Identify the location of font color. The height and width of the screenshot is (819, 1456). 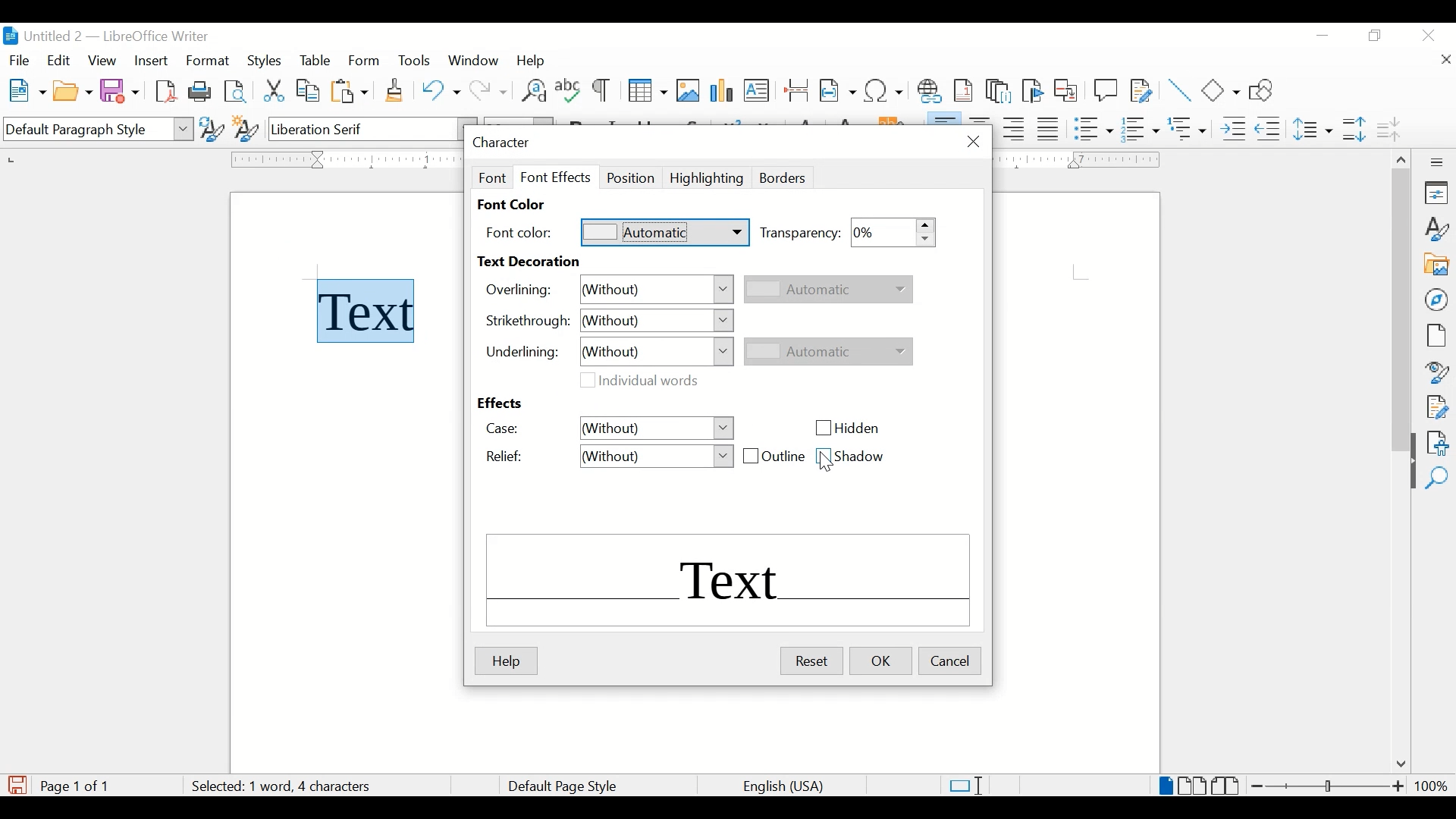
(512, 206).